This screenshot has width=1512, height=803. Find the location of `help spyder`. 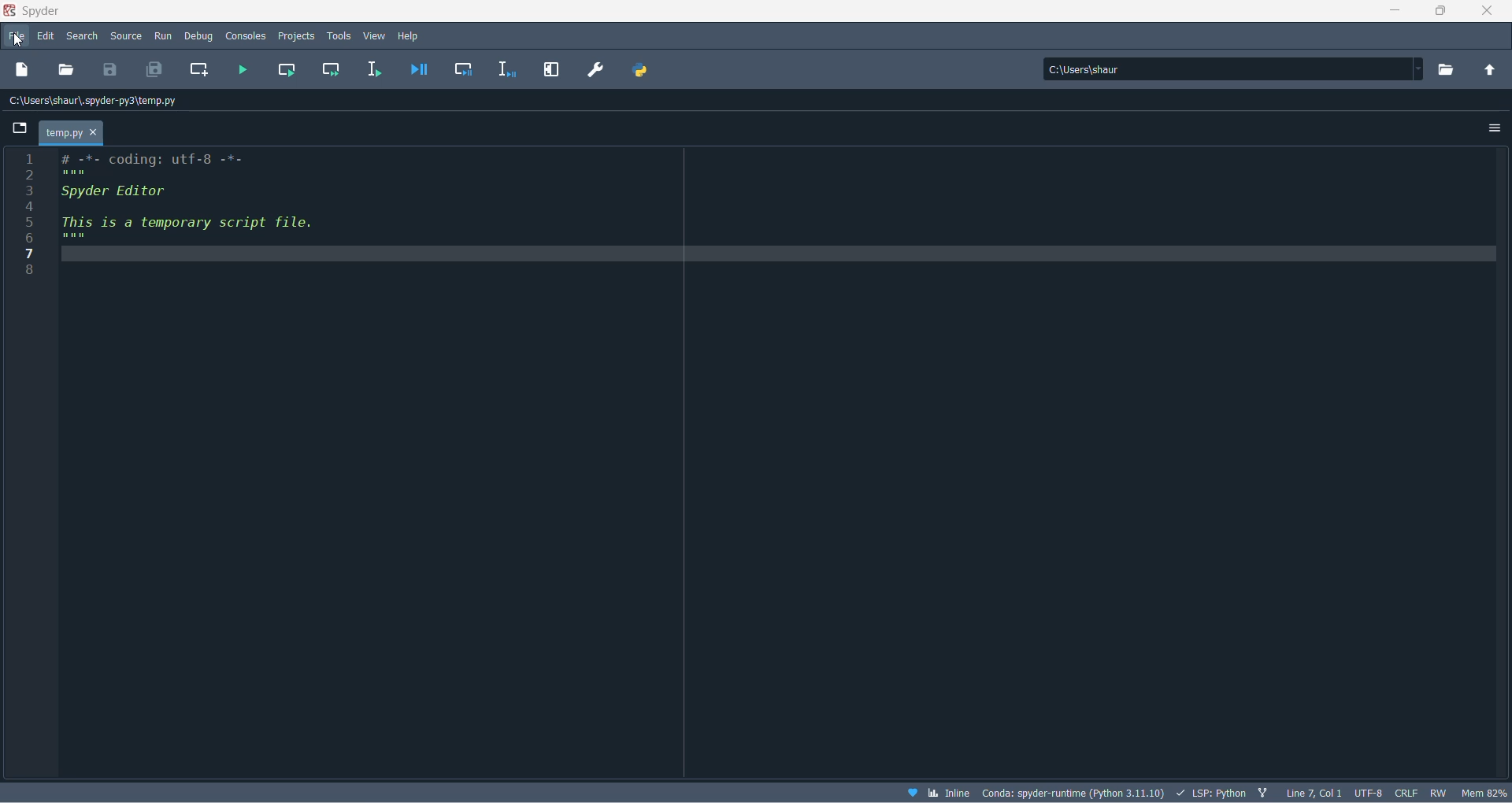

help spyder is located at coordinates (906, 792).